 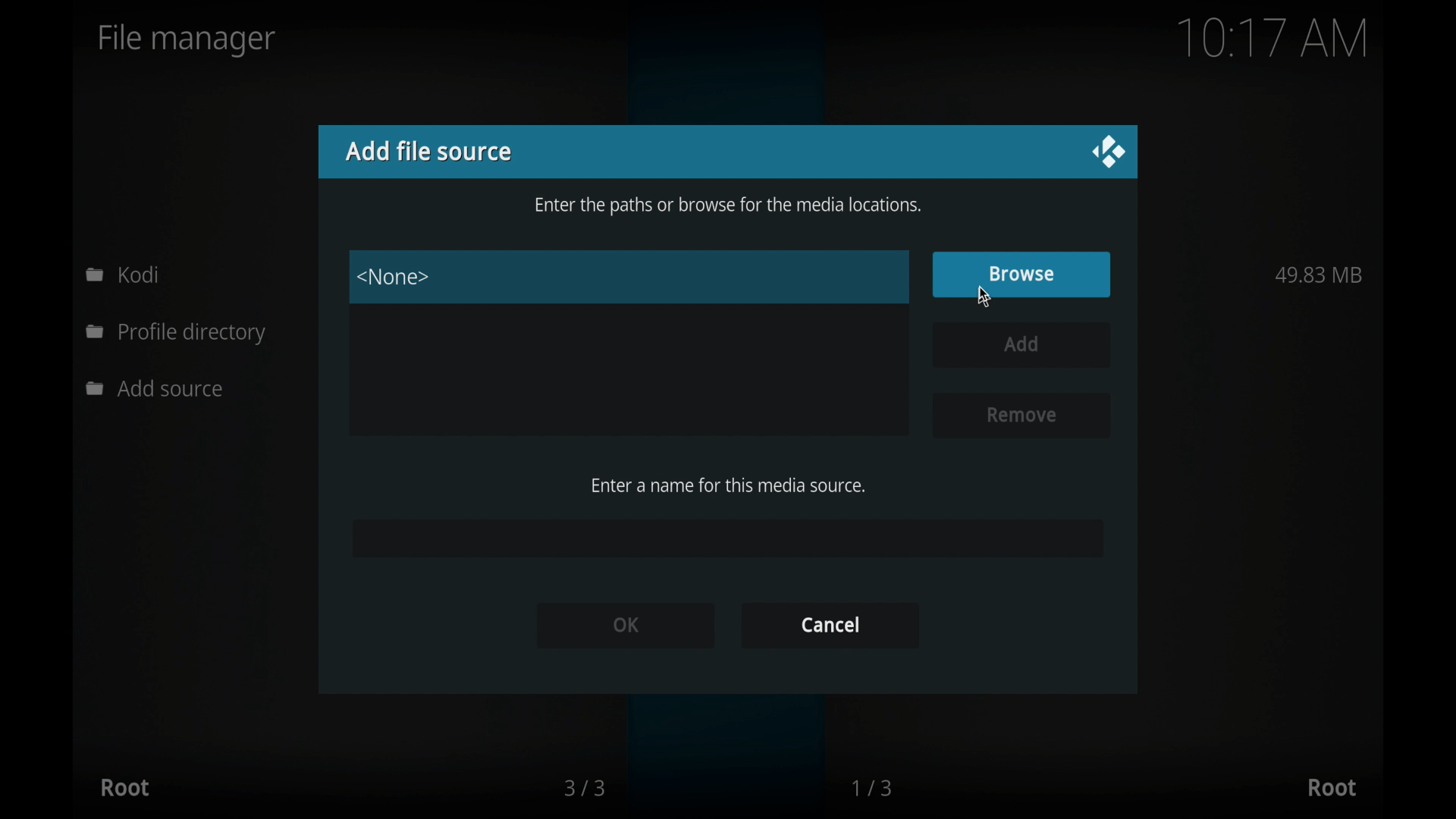 I want to click on kodi, so click(x=123, y=274).